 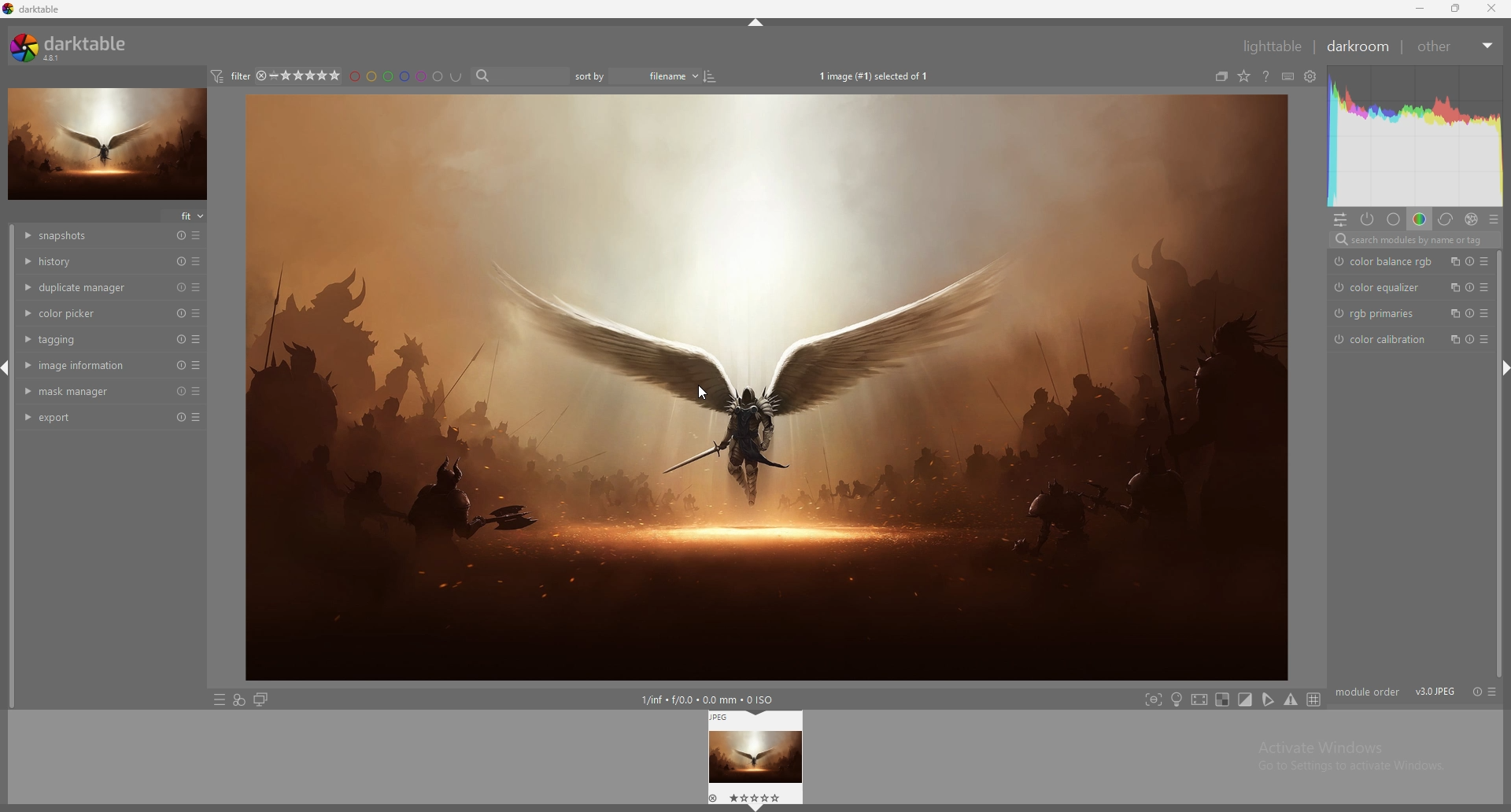 I want to click on preset, so click(x=198, y=391).